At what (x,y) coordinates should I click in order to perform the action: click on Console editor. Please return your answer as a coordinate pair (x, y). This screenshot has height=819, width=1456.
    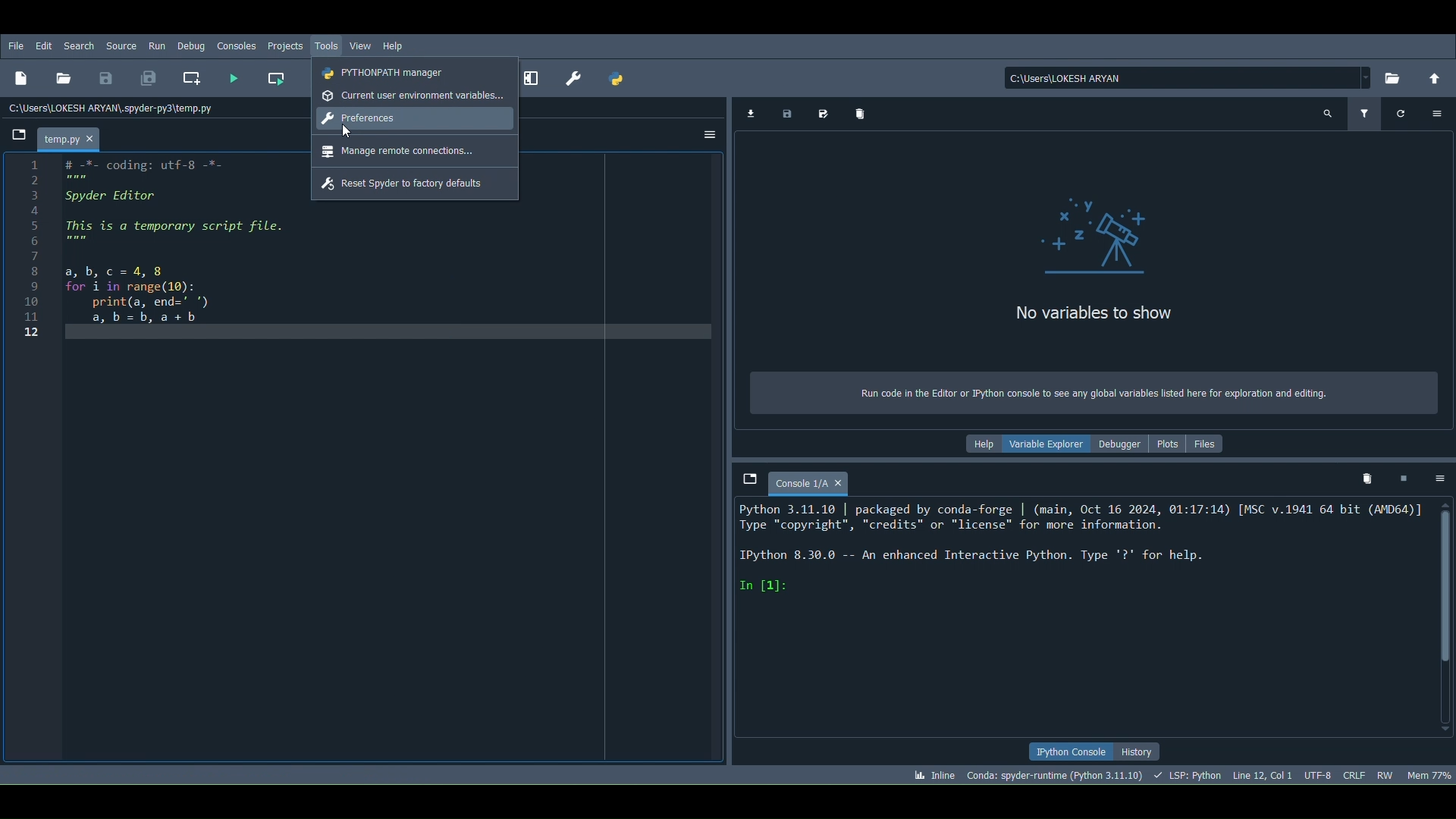
    Looking at the image, I should click on (1080, 617).